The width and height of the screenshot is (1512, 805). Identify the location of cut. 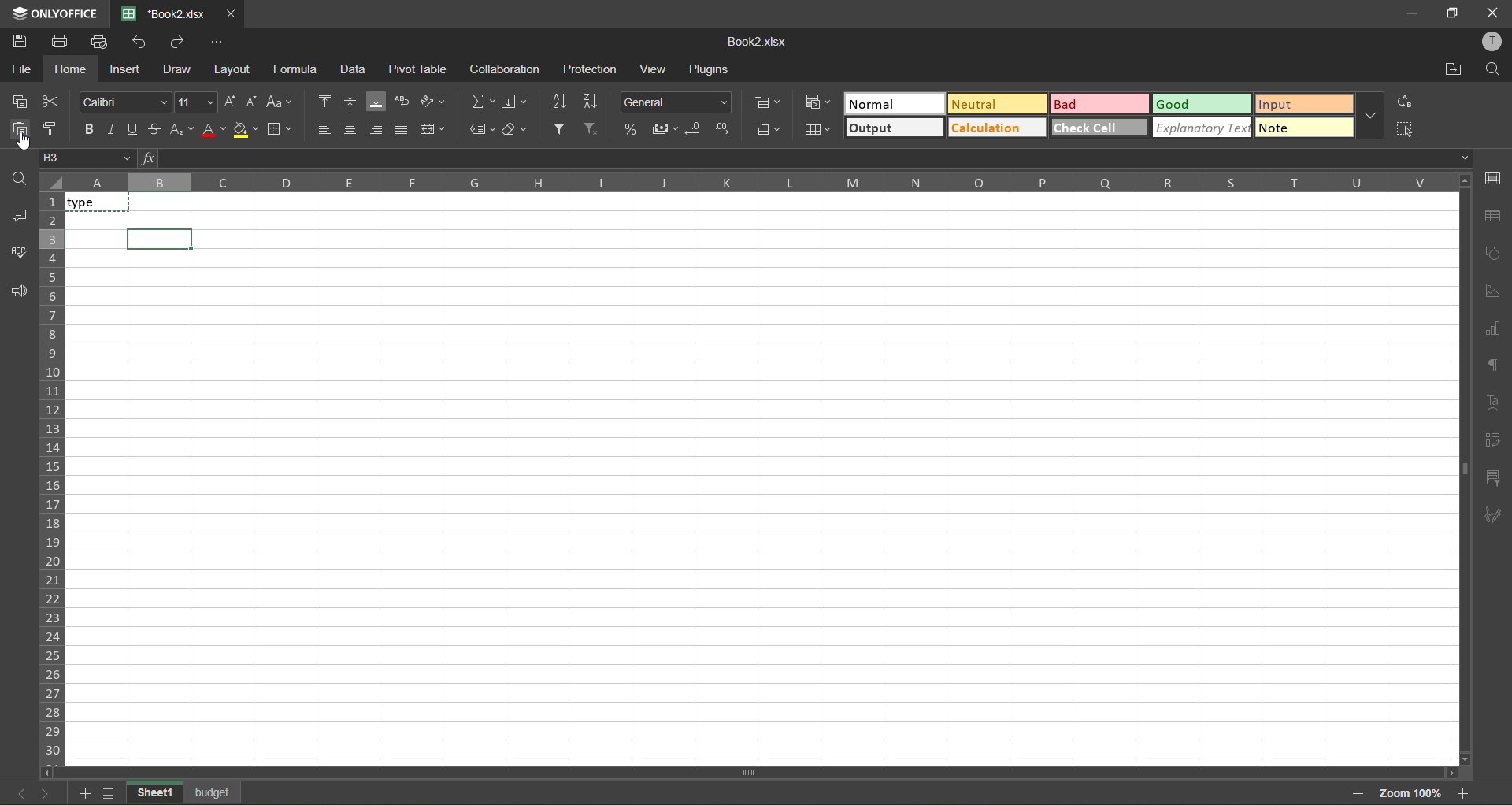
(53, 100).